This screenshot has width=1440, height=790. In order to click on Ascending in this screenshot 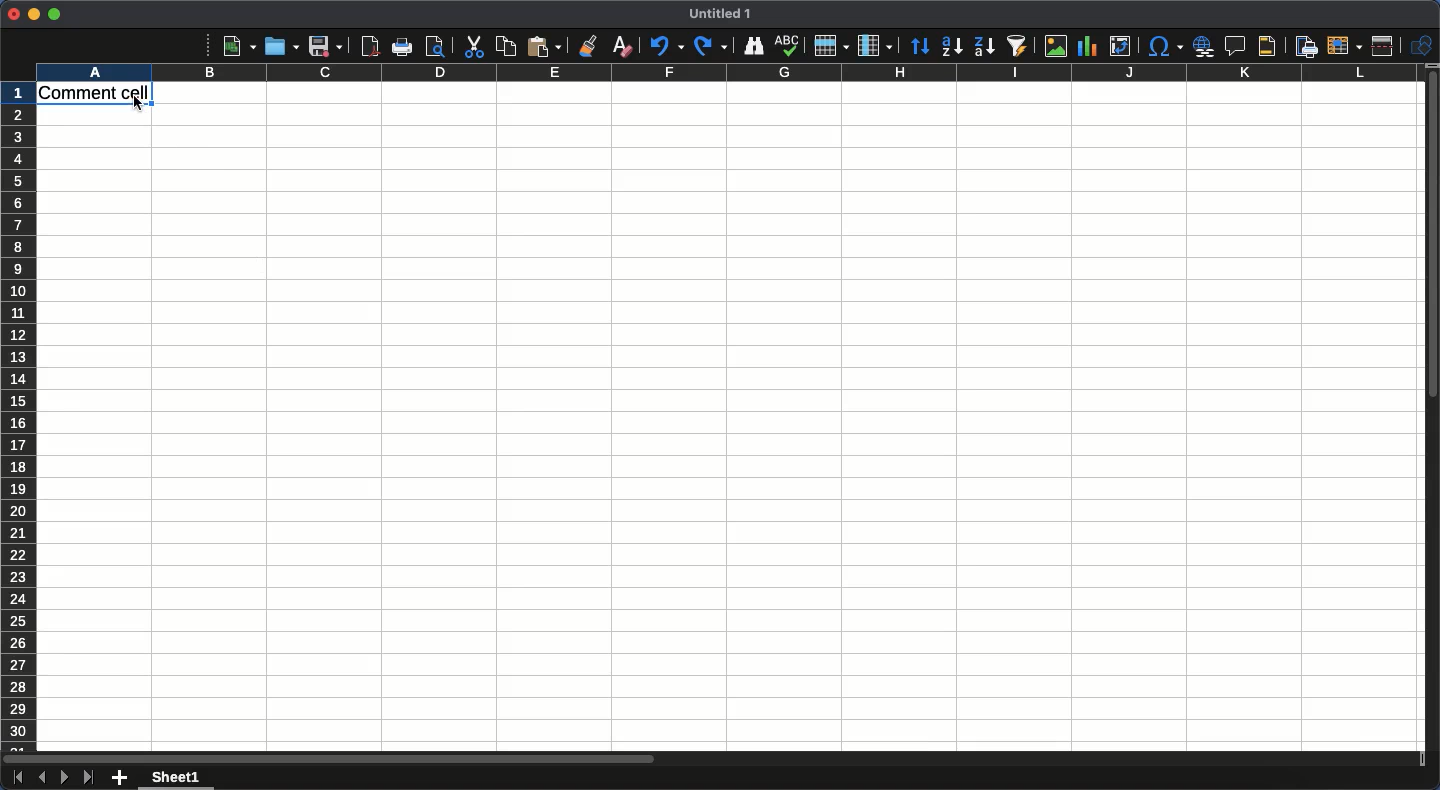, I will do `click(949, 45)`.